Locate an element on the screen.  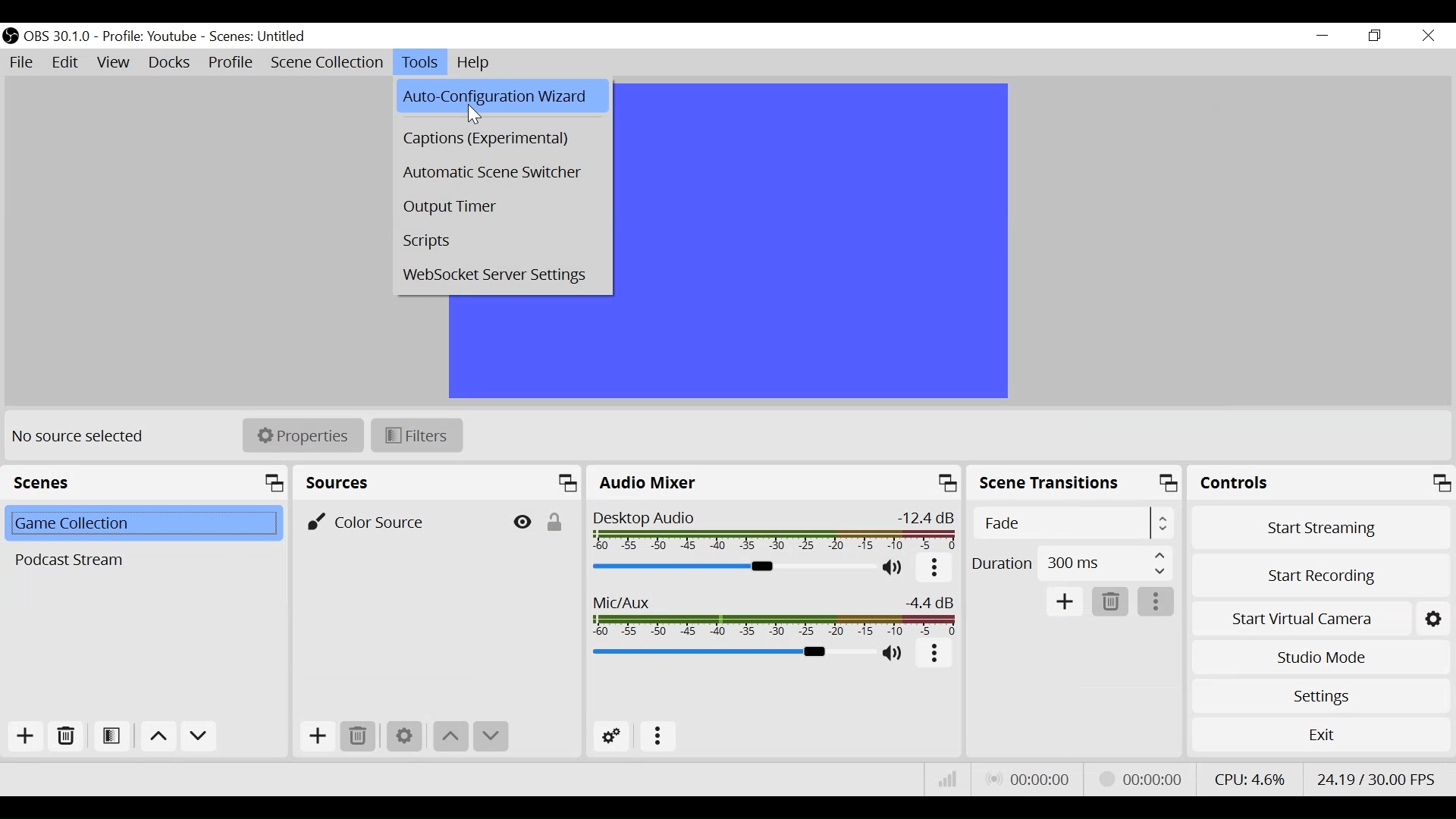
Stream  is located at coordinates (1144, 779).